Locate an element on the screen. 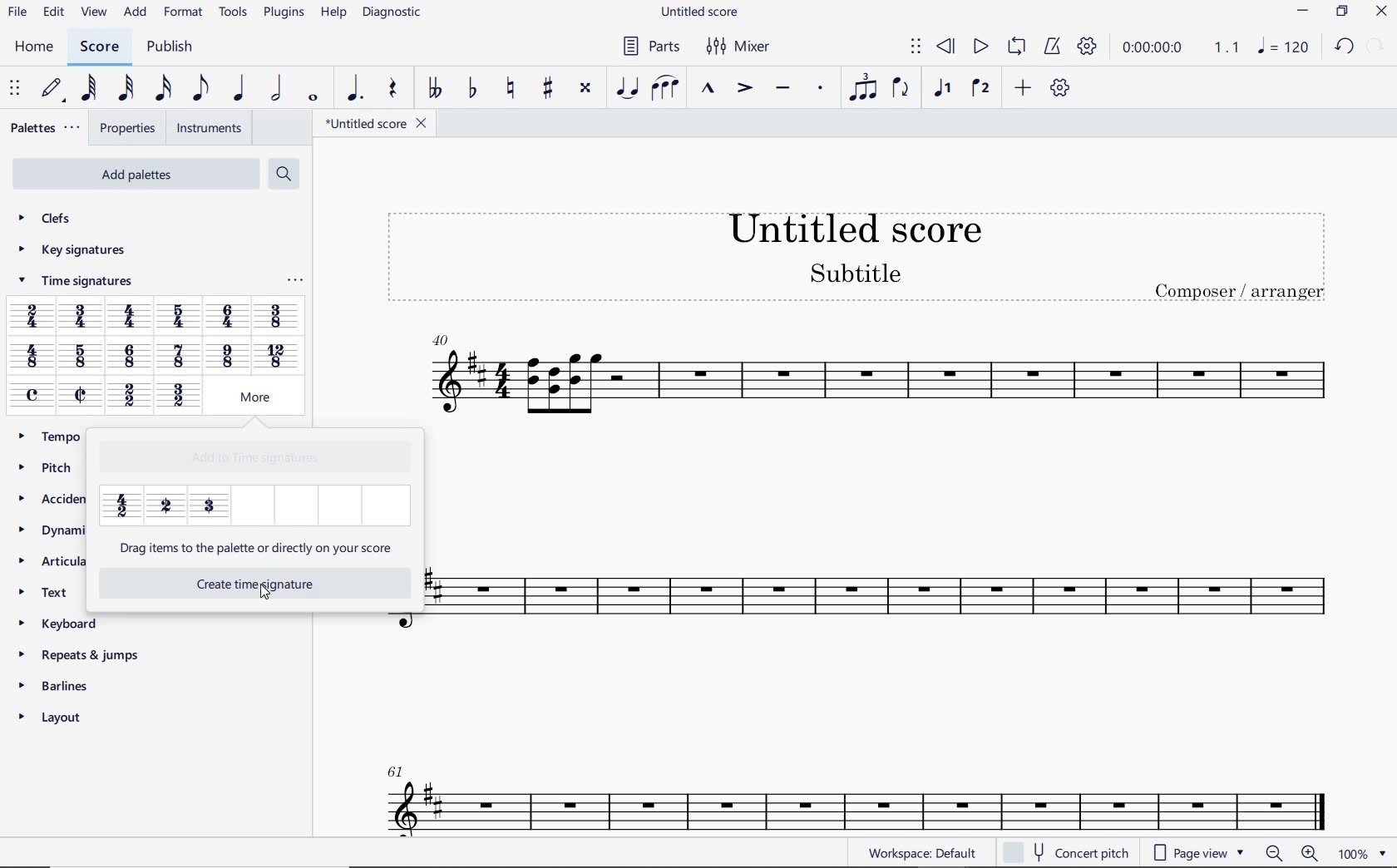  MARCATO is located at coordinates (708, 90).